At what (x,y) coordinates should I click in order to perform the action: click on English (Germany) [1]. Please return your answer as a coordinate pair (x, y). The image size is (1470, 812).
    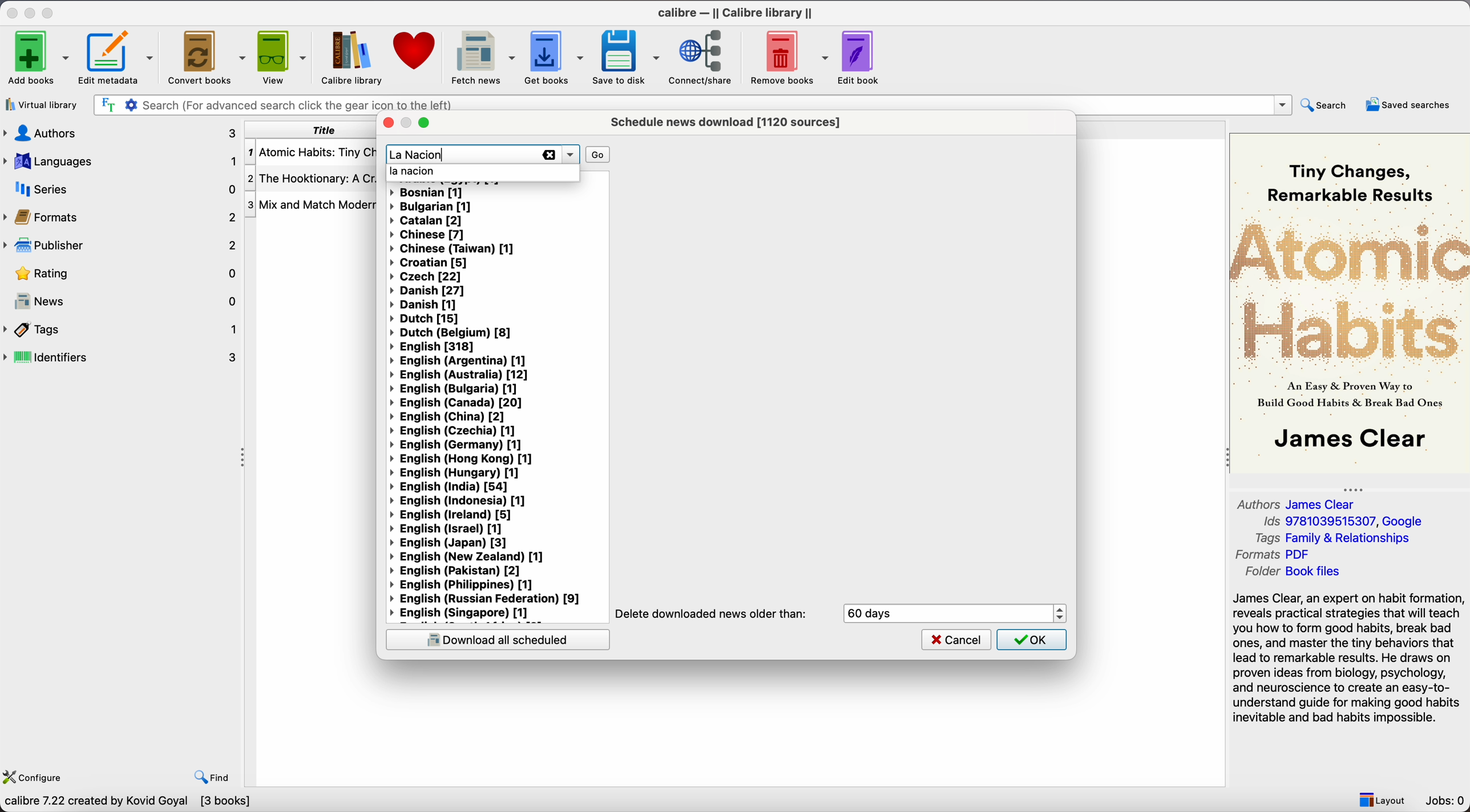
    Looking at the image, I should click on (458, 446).